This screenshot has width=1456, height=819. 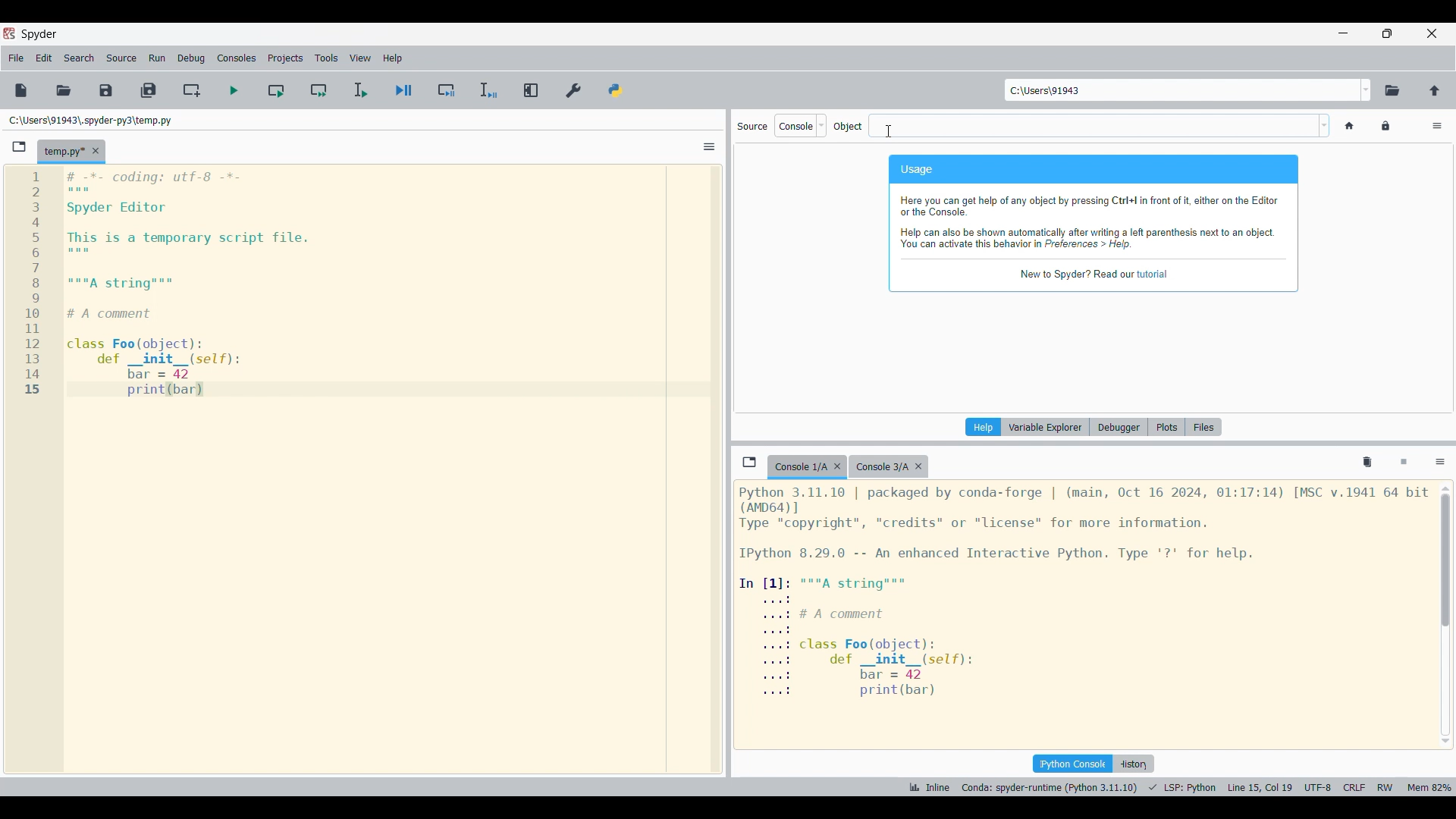 What do you see at coordinates (1432, 785) in the screenshot?
I see `mem 82%` at bounding box center [1432, 785].